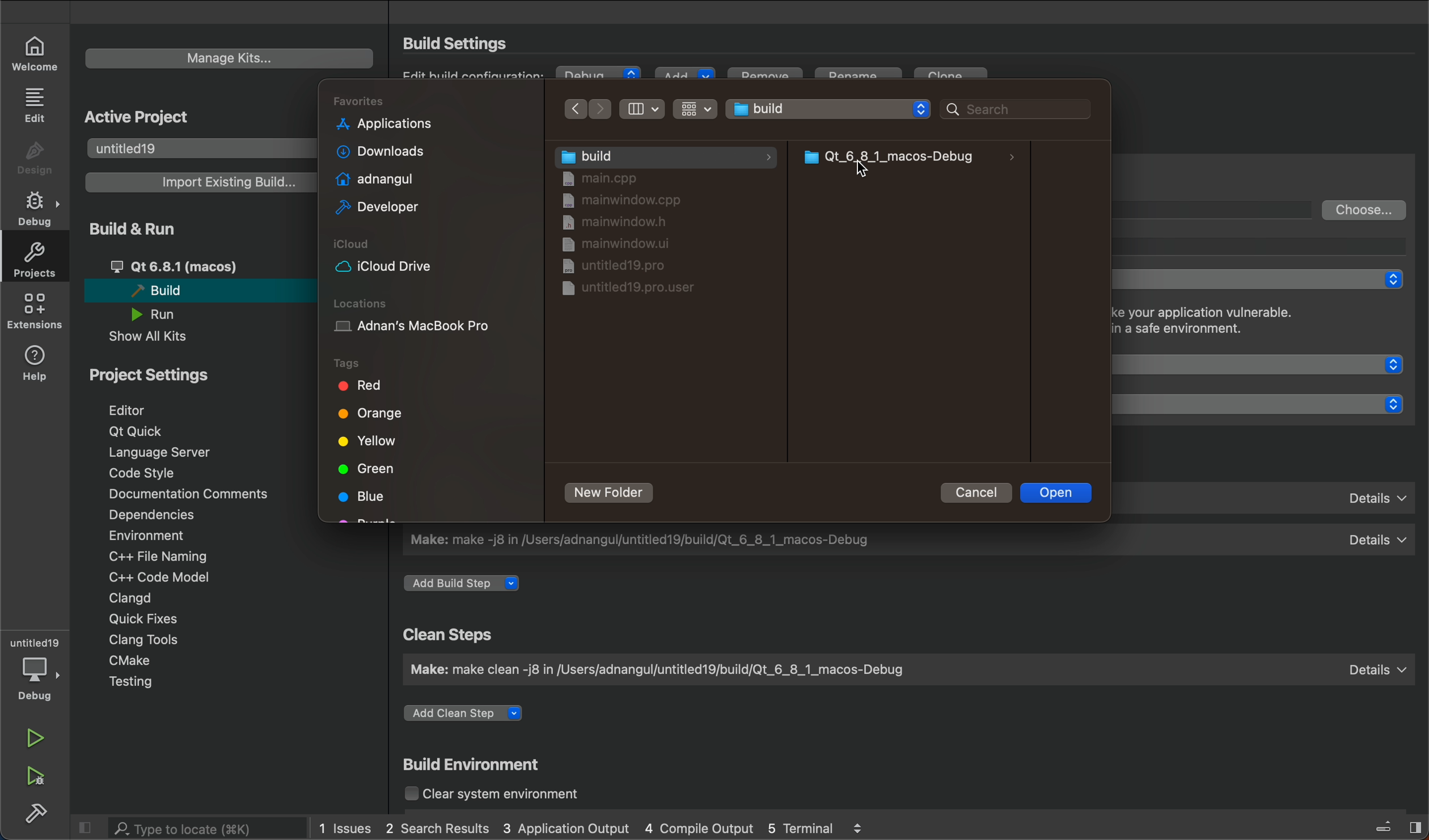 The image size is (1429, 840). Describe the element at coordinates (511, 795) in the screenshot. I see `clear system ` at that location.